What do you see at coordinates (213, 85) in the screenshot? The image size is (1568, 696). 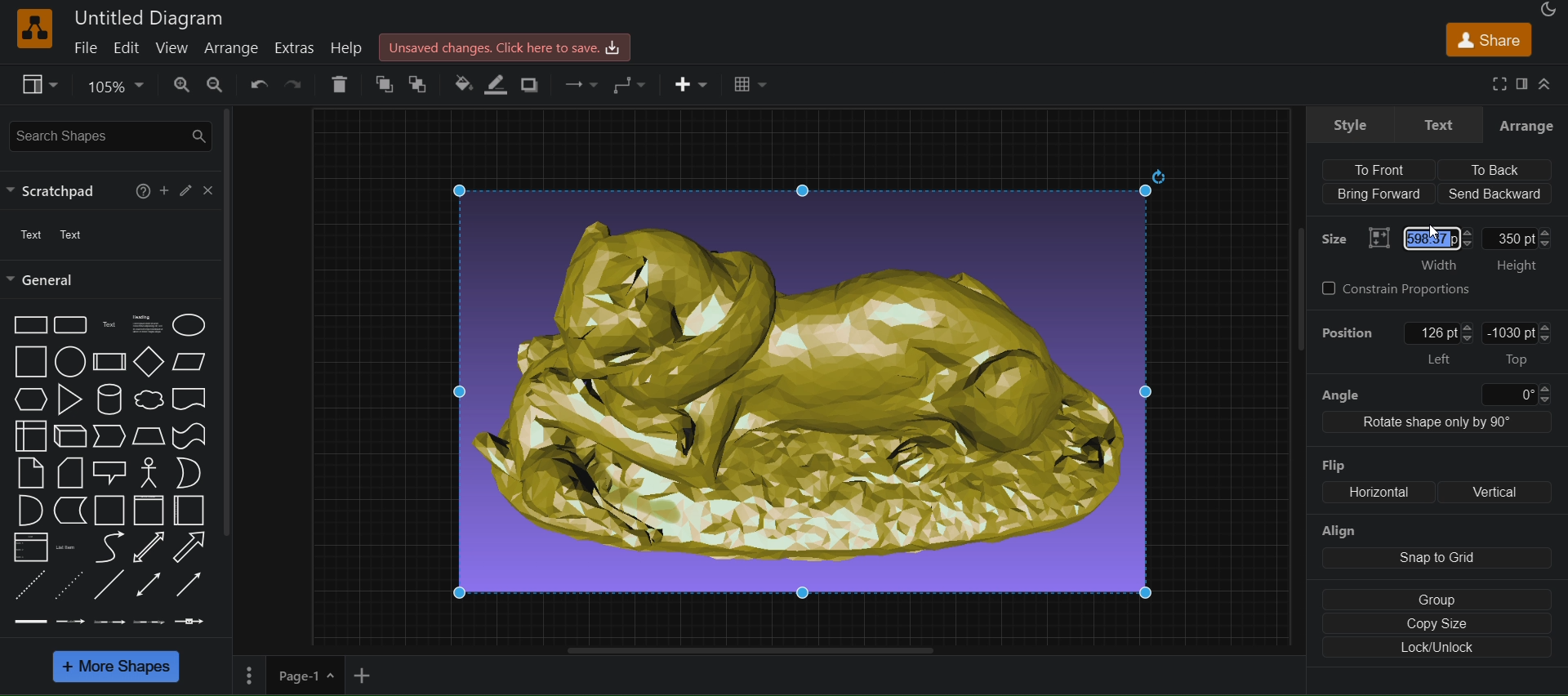 I see `zoom out` at bounding box center [213, 85].